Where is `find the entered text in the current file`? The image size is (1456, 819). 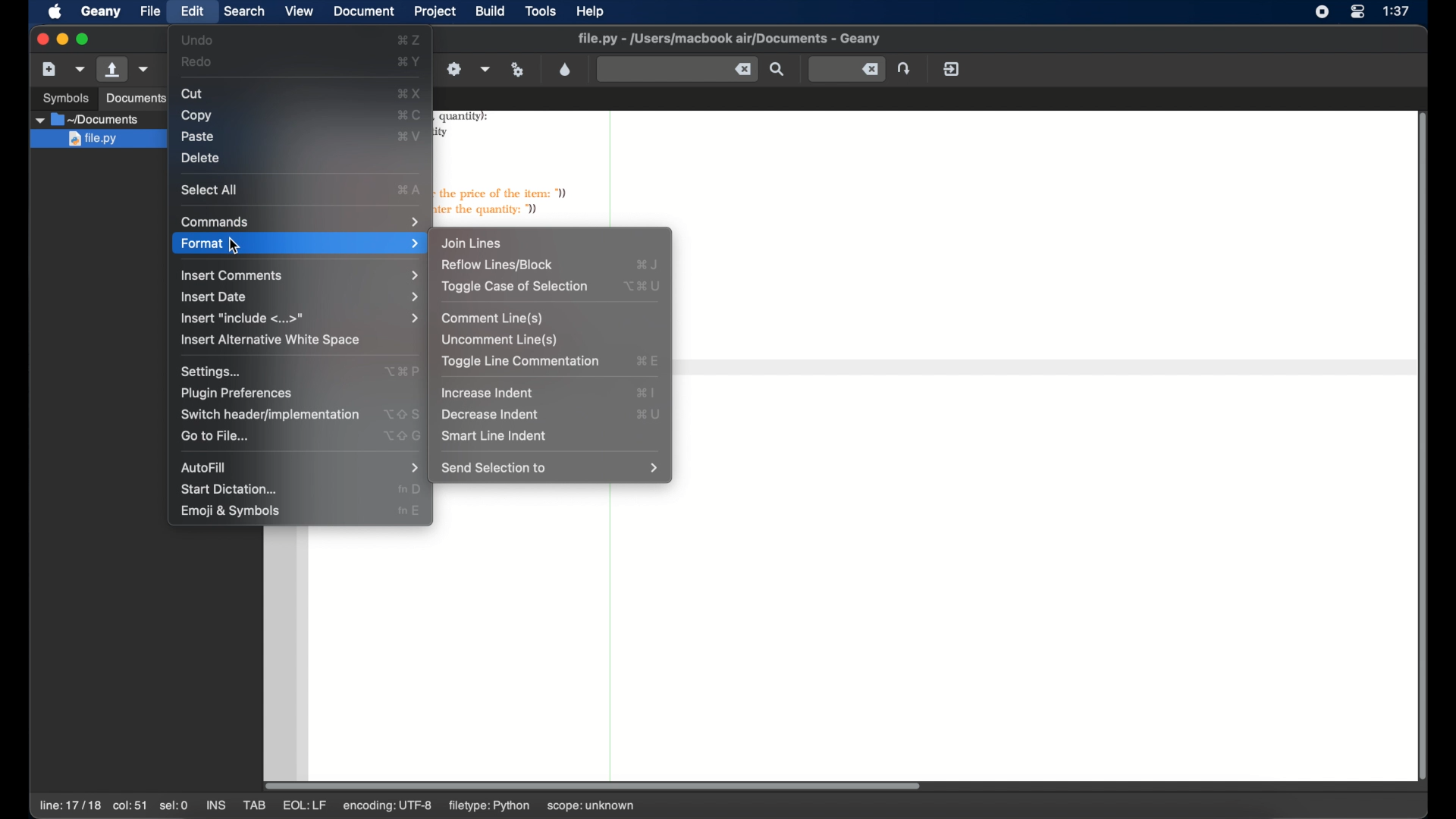 find the entered text in the current file is located at coordinates (676, 70).